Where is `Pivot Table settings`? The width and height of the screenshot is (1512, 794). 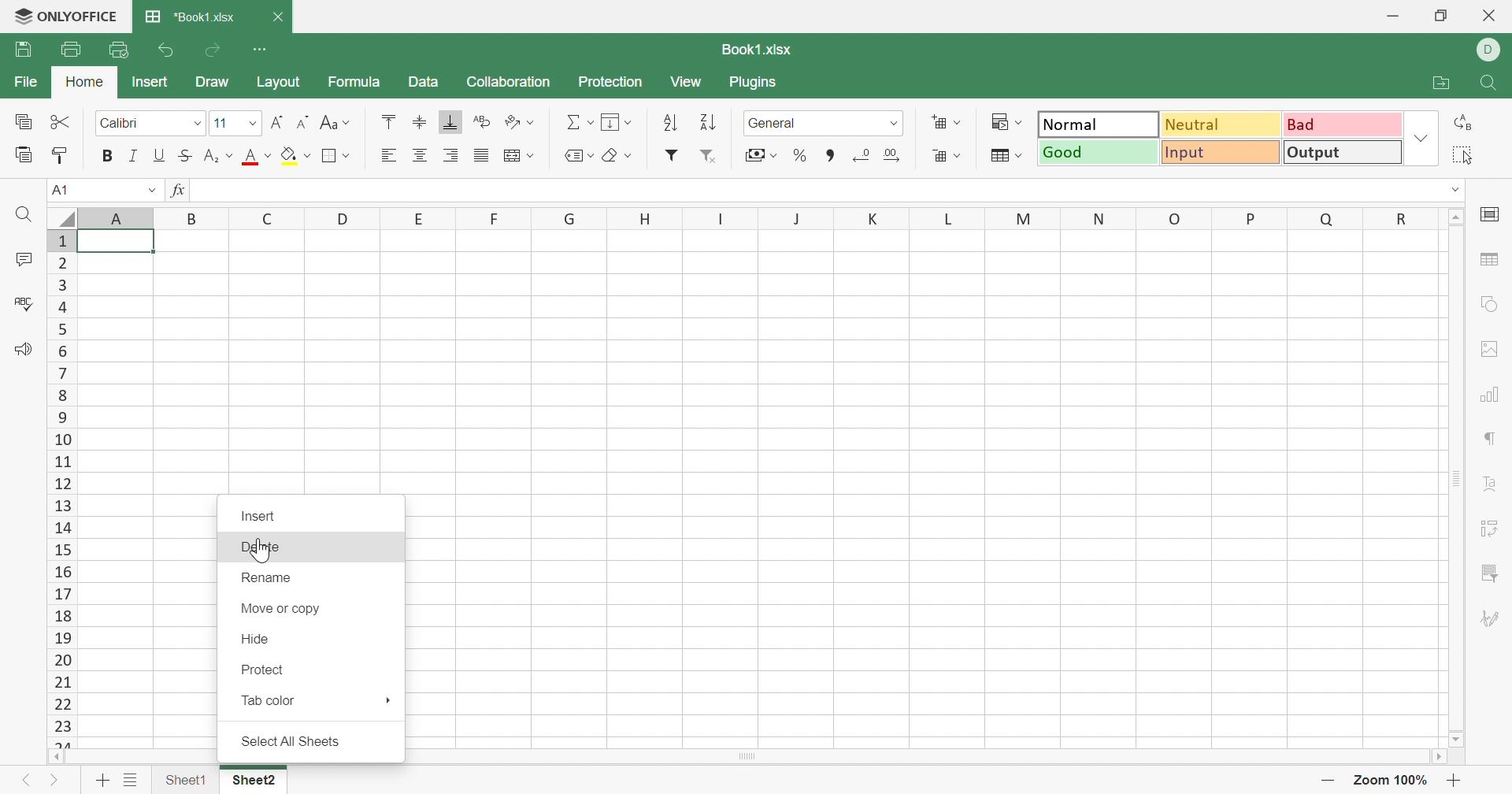
Pivot Table settings is located at coordinates (1492, 529).